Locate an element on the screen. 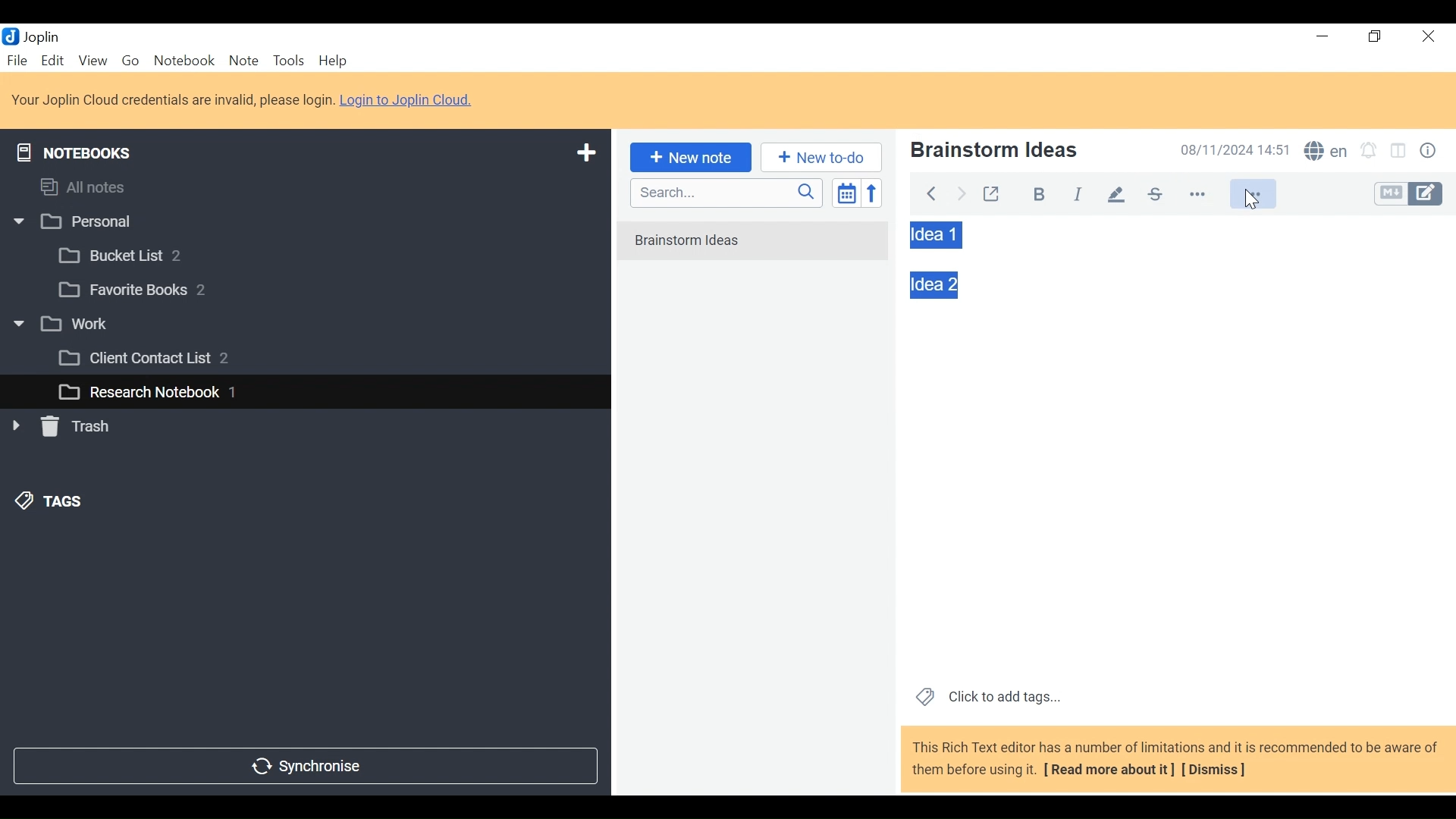 The height and width of the screenshot is (819, 1456). Note properties is located at coordinates (1431, 152).